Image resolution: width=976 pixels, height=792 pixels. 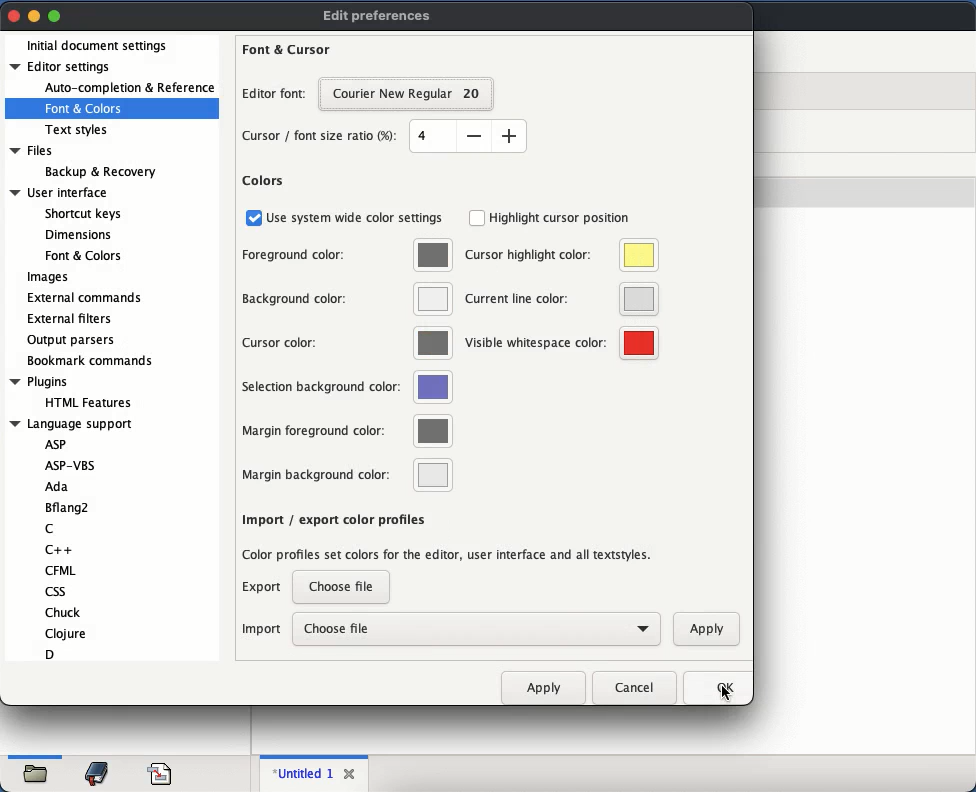 What do you see at coordinates (393, 93) in the screenshot?
I see `courier new regular` at bounding box center [393, 93].